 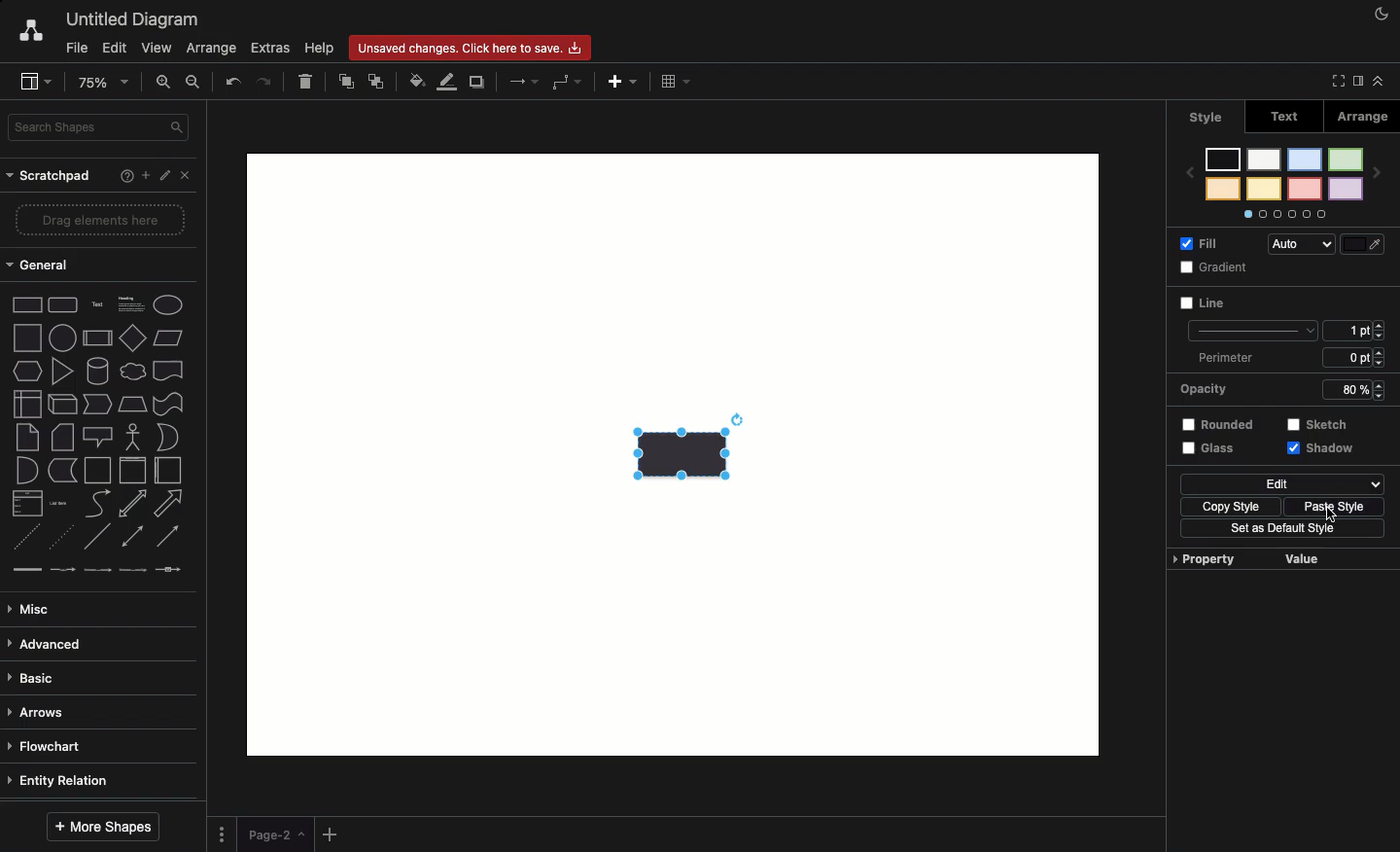 I want to click on Table, so click(x=680, y=83).